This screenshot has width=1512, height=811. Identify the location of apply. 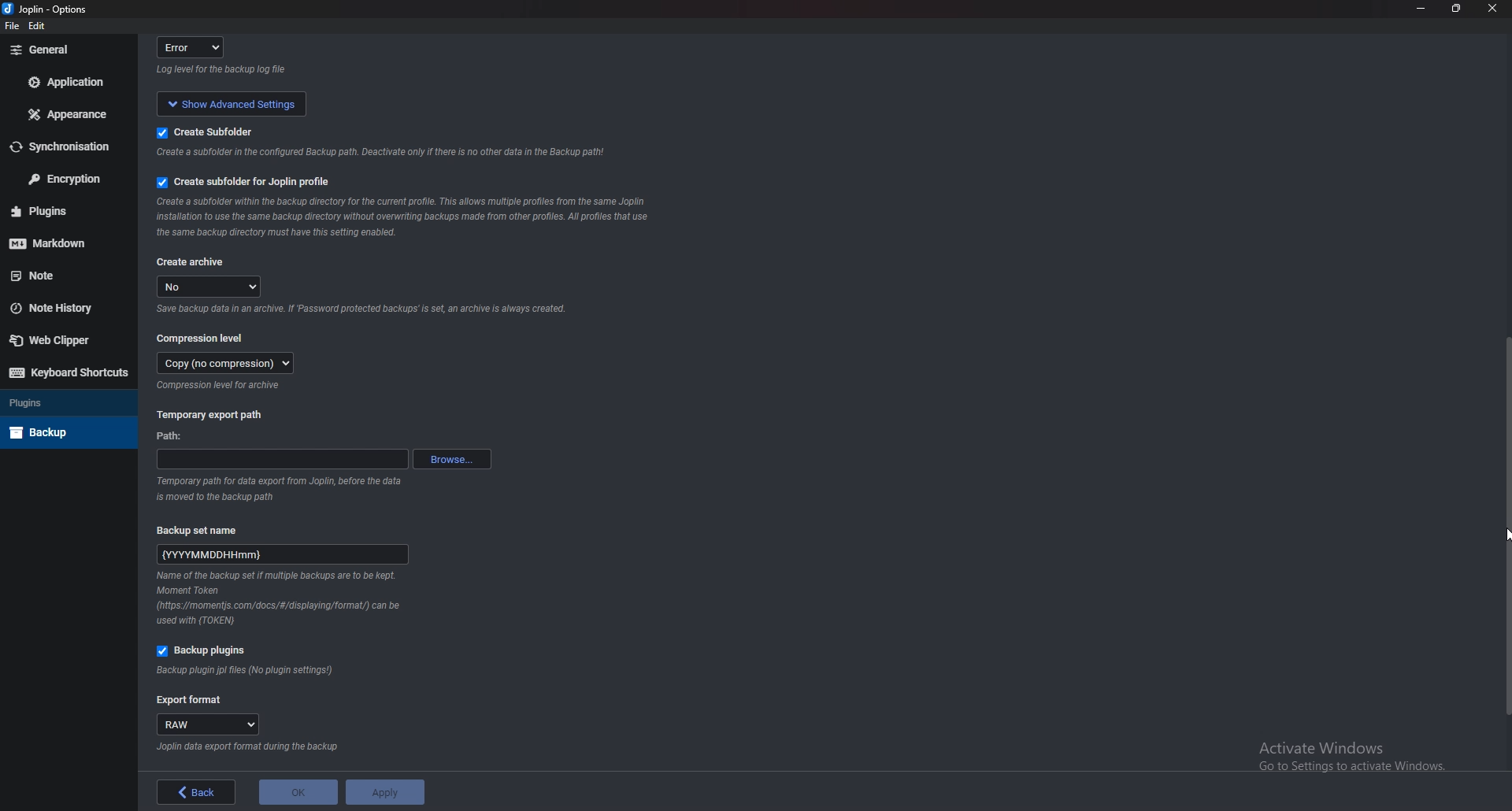
(384, 792).